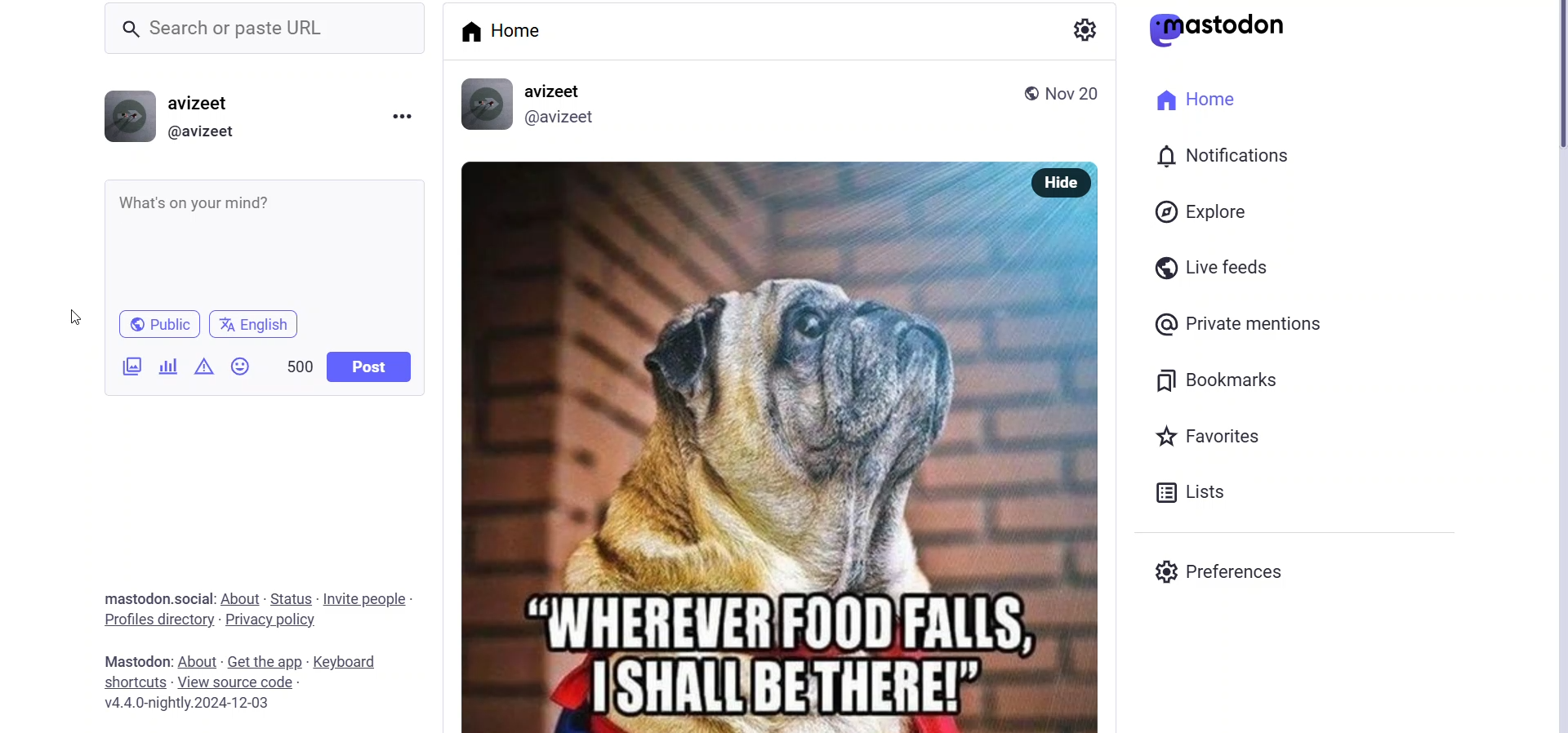  Describe the element at coordinates (367, 367) in the screenshot. I see `post` at that location.